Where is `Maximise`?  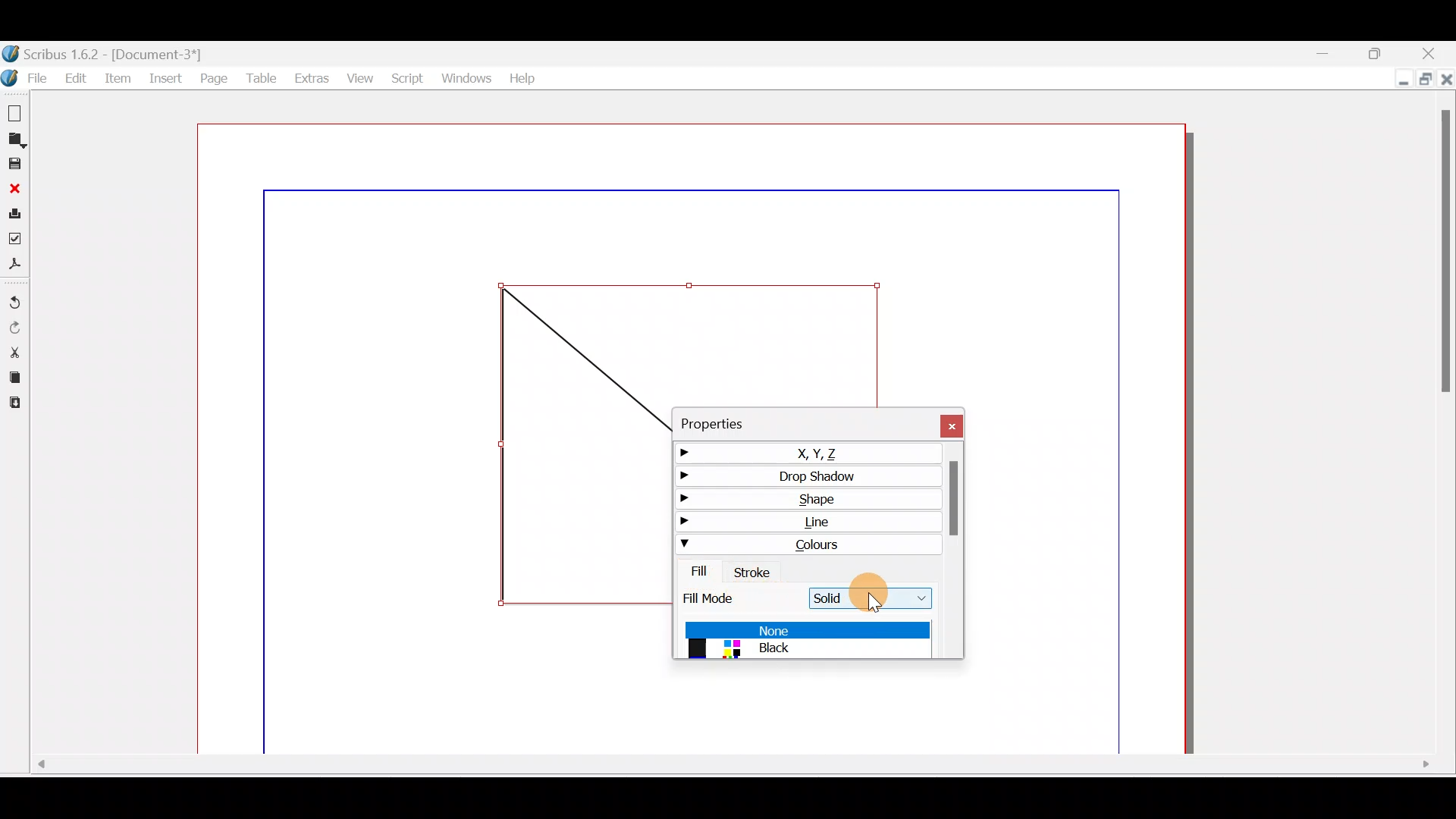 Maximise is located at coordinates (1426, 81).